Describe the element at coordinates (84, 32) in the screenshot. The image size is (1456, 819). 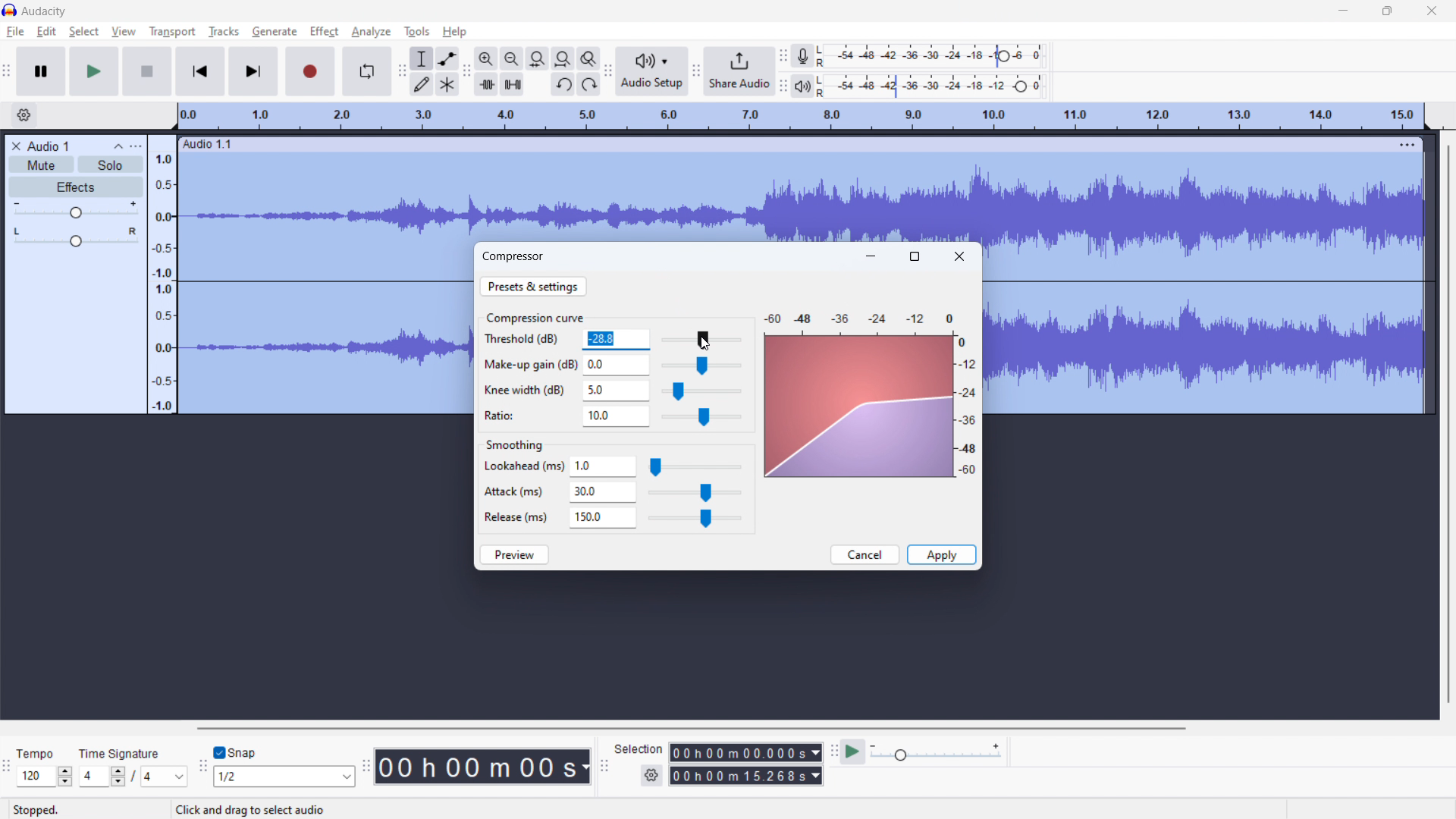
I see `select` at that location.